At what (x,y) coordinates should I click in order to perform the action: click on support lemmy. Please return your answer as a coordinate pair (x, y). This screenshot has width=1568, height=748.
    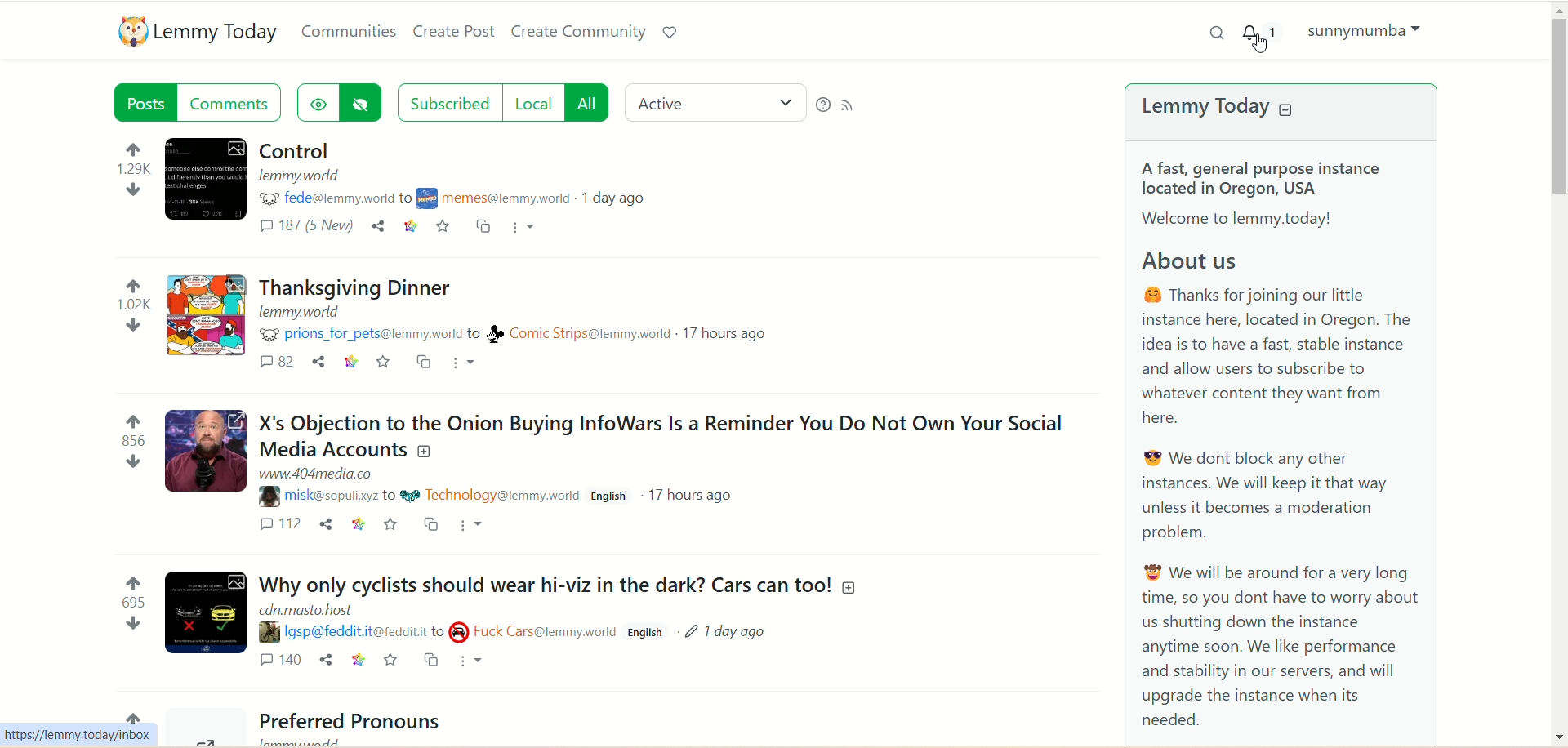
    Looking at the image, I should click on (672, 32).